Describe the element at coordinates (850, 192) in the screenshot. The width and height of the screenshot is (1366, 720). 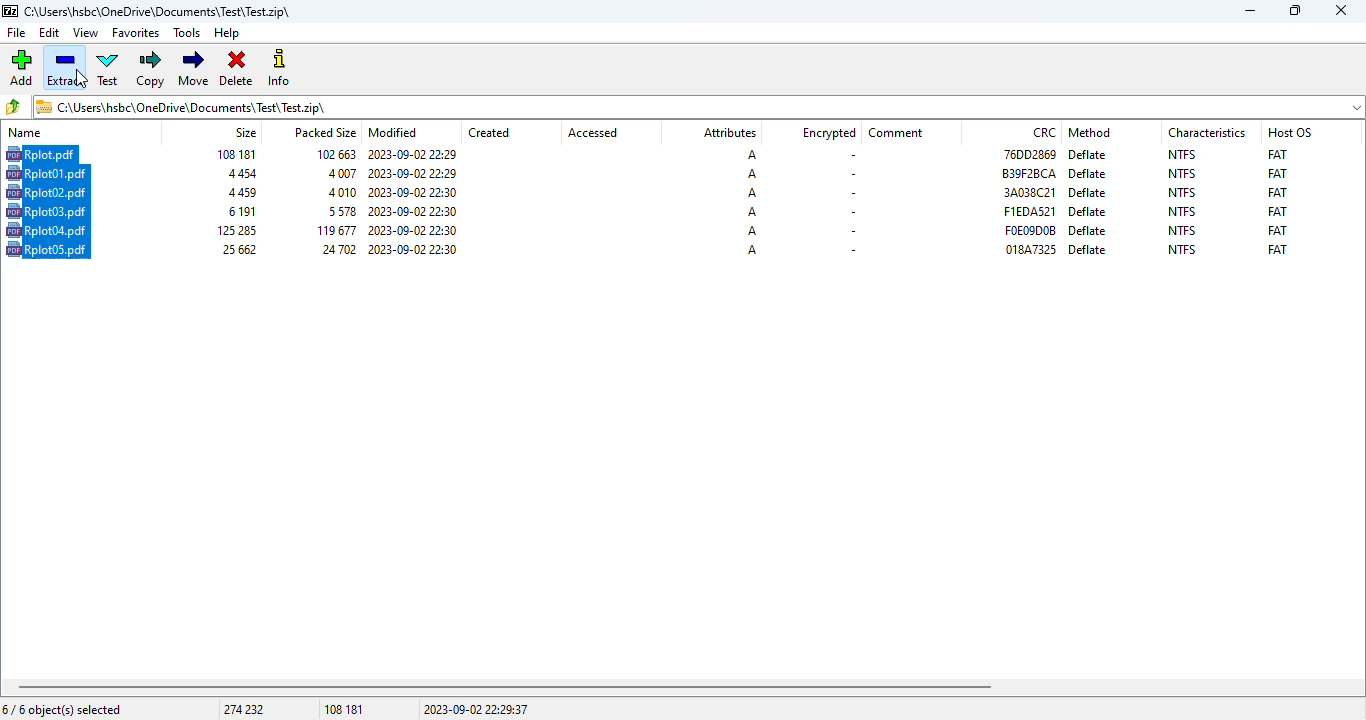
I see `-` at that location.